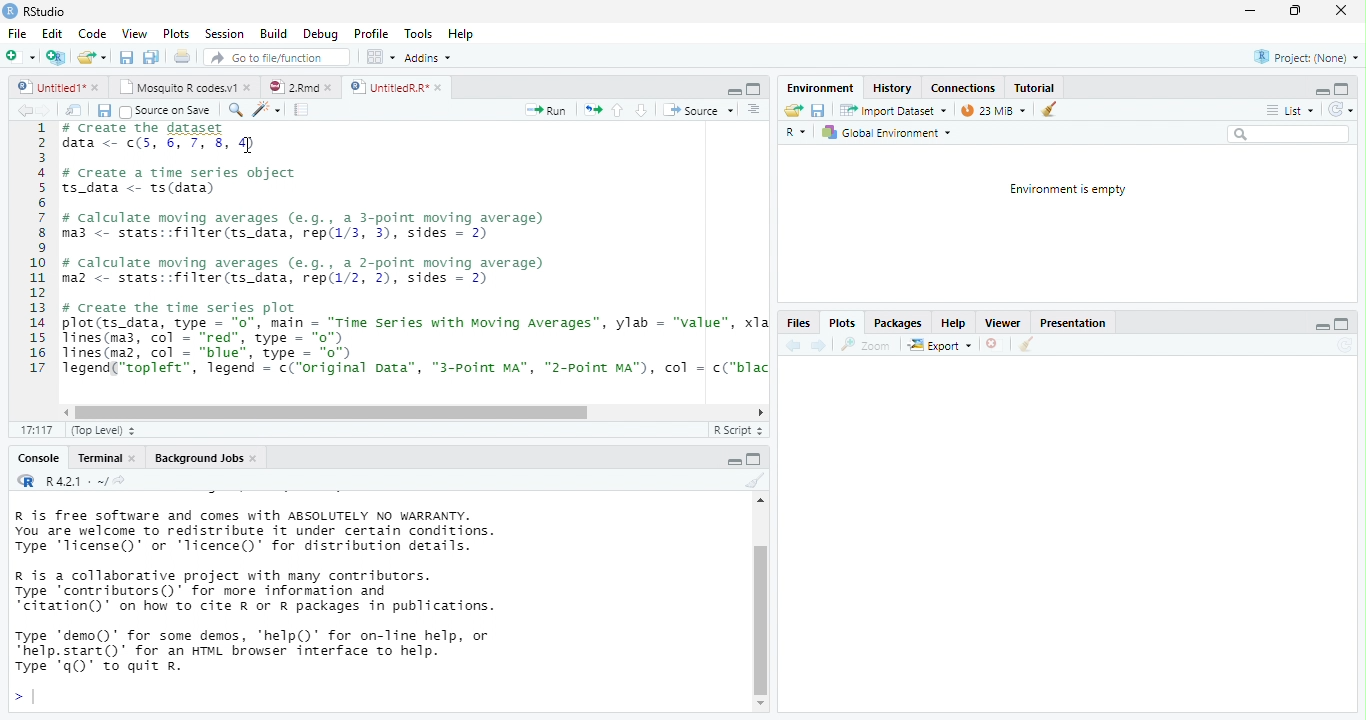 This screenshot has height=720, width=1366. What do you see at coordinates (19, 57) in the screenshot?
I see `New file` at bounding box center [19, 57].